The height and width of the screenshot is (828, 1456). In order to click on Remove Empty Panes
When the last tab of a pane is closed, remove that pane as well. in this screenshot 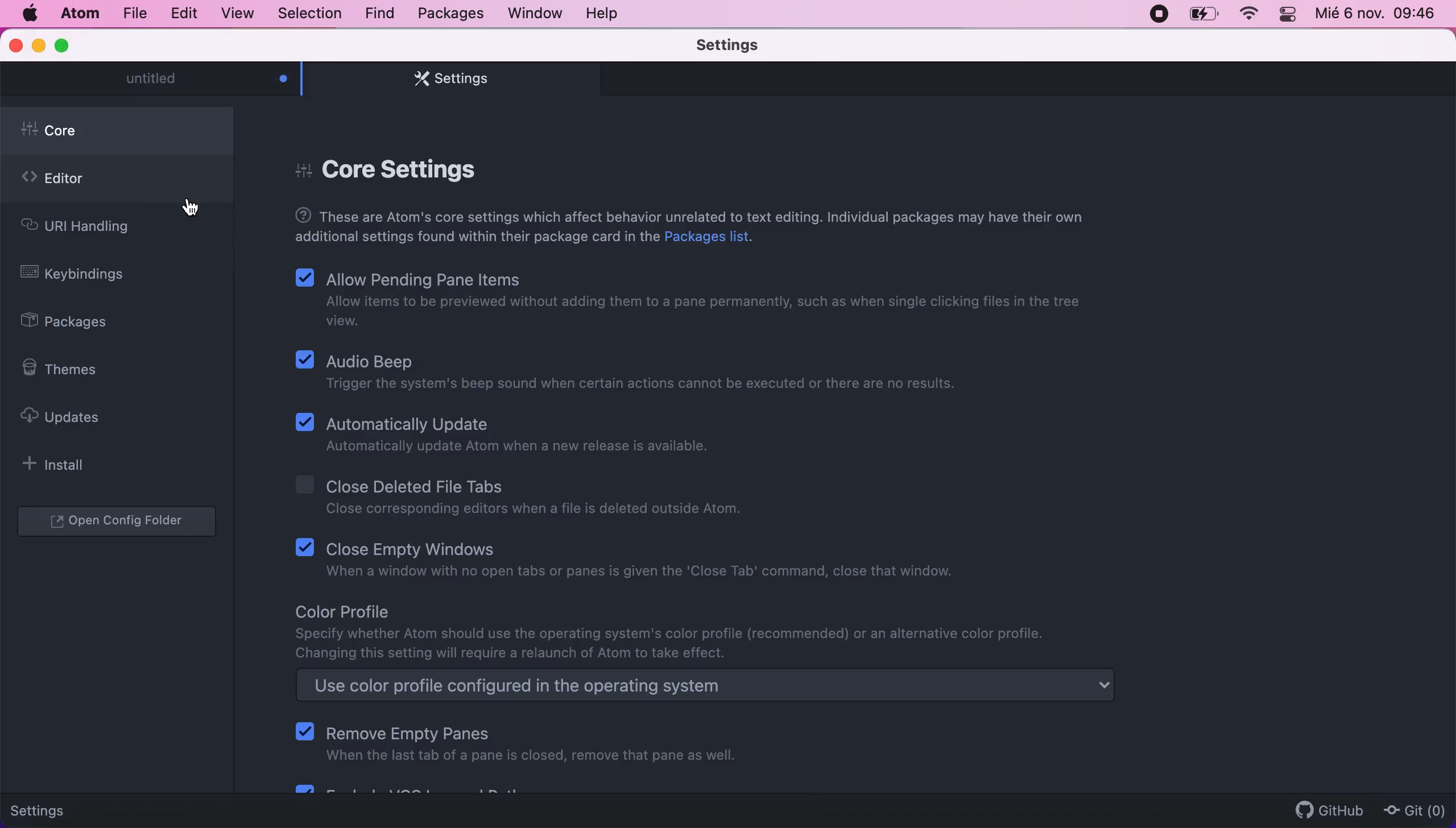, I will do `click(527, 746)`.